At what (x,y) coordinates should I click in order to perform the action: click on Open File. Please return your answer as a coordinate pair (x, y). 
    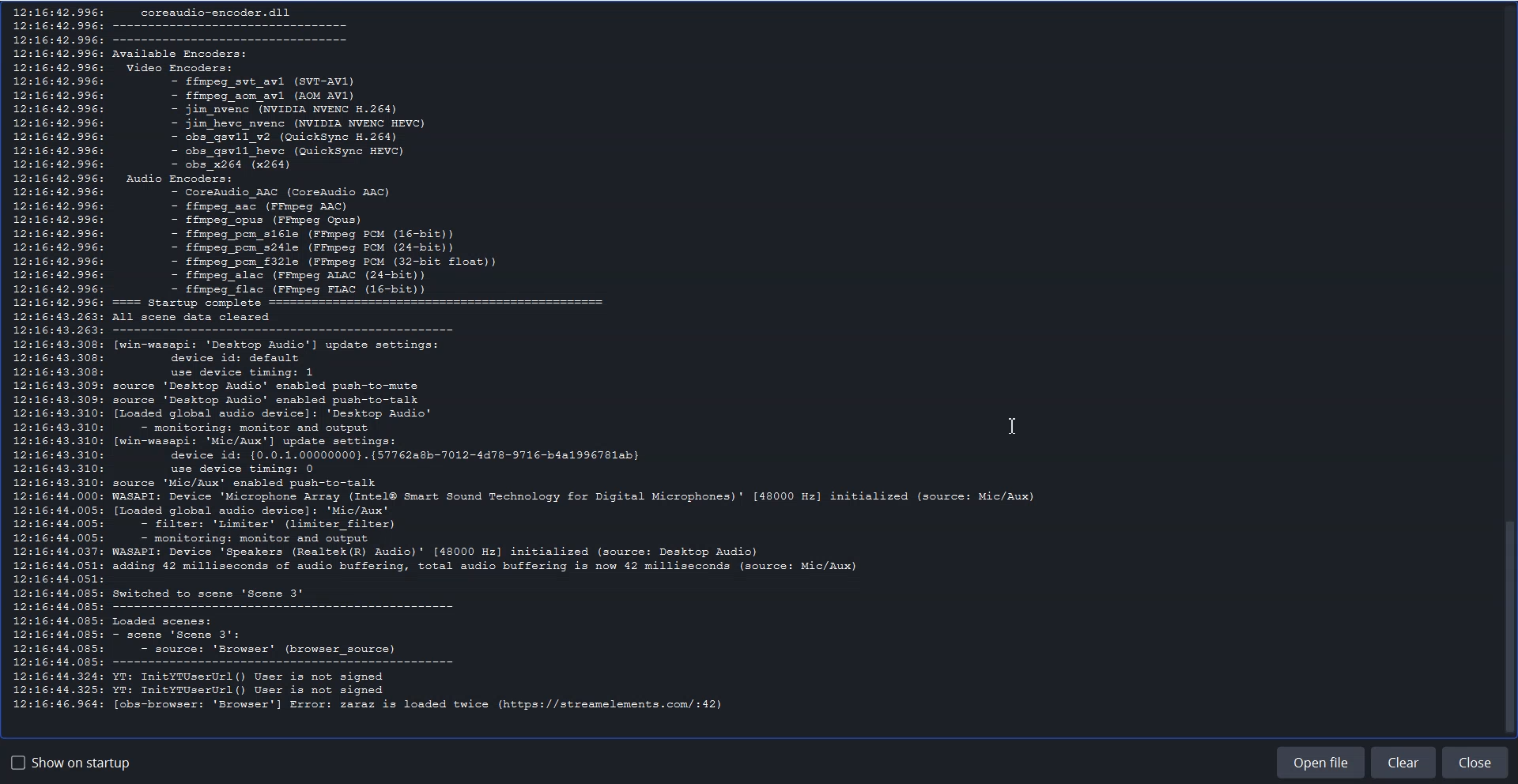
    Looking at the image, I should click on (1319, 760).